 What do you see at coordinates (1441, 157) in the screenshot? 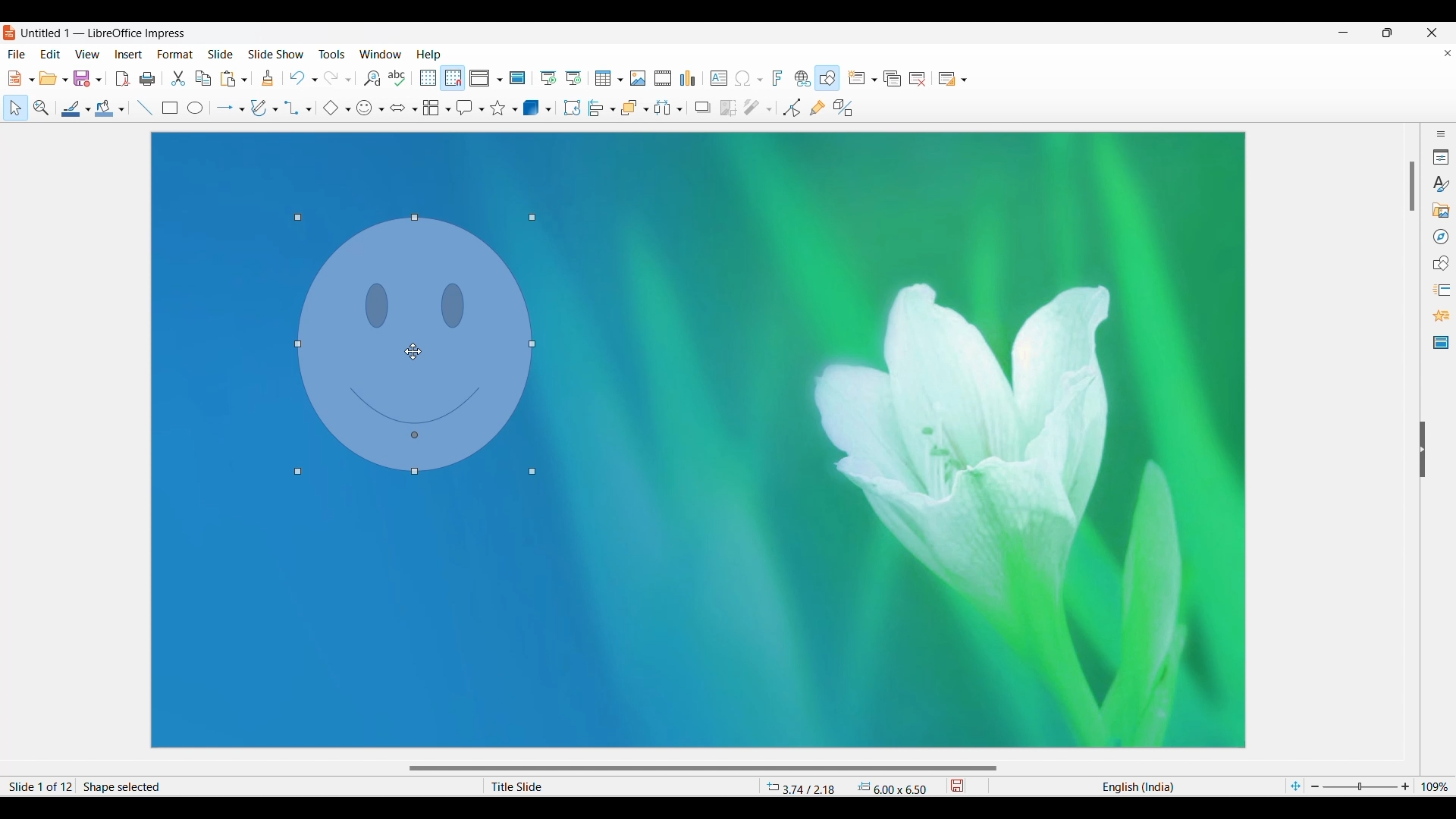
I see `Properties` at bounding box center [1441, 157].